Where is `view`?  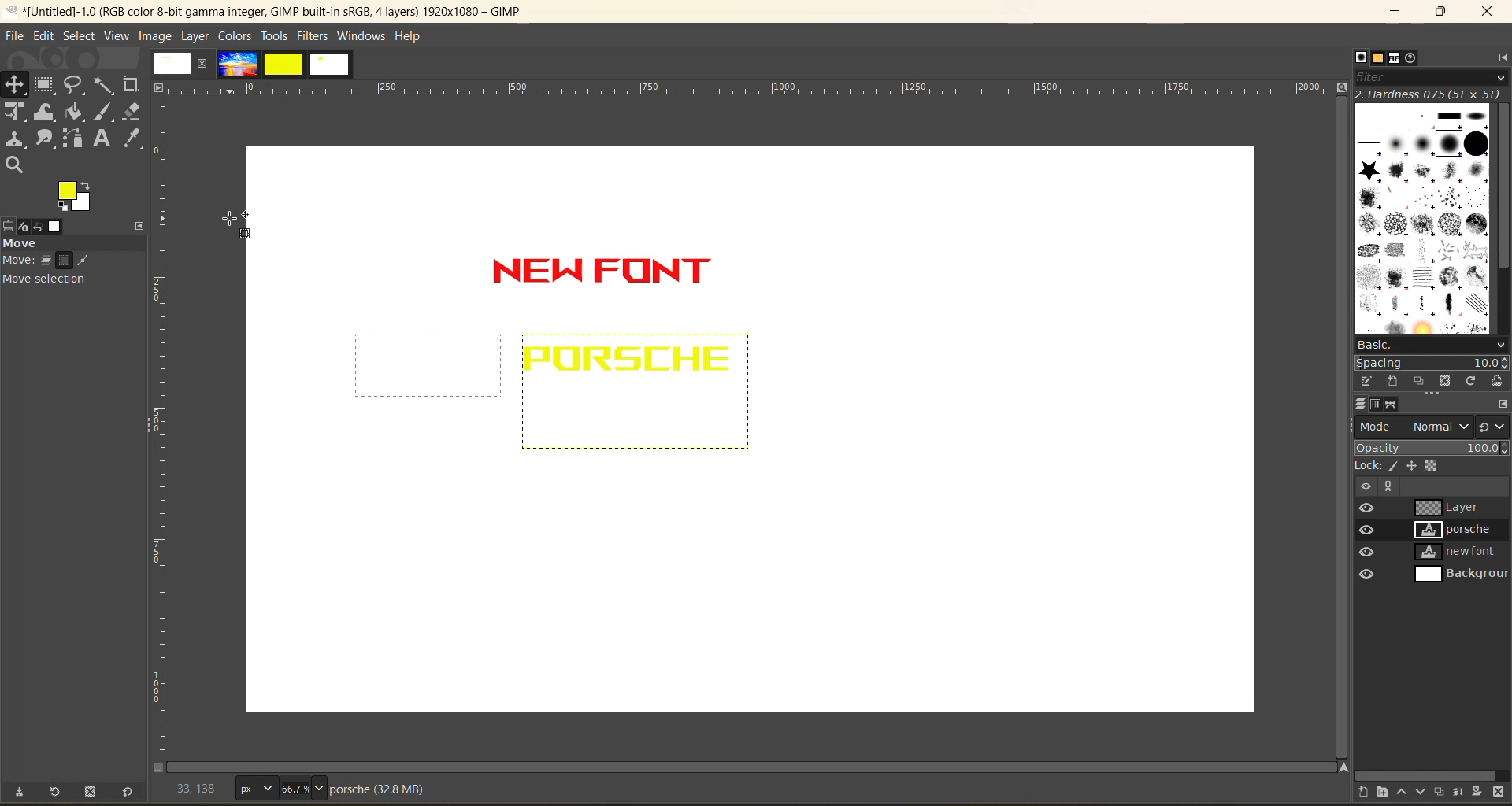
view is located at coordinates (1363, 486).